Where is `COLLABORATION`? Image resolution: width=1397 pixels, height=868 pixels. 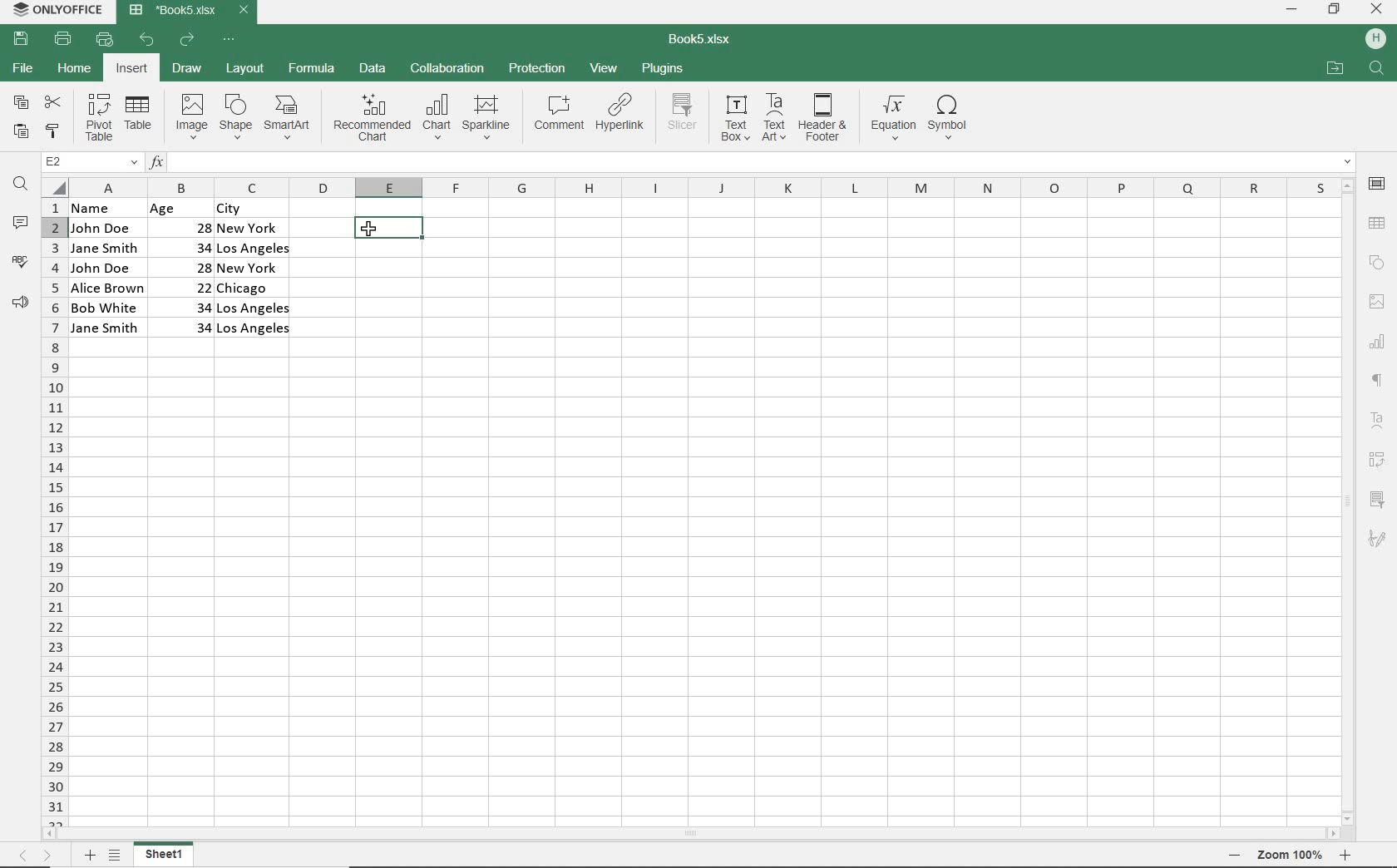 COLLABORATION is located at coordinates (447, 71).